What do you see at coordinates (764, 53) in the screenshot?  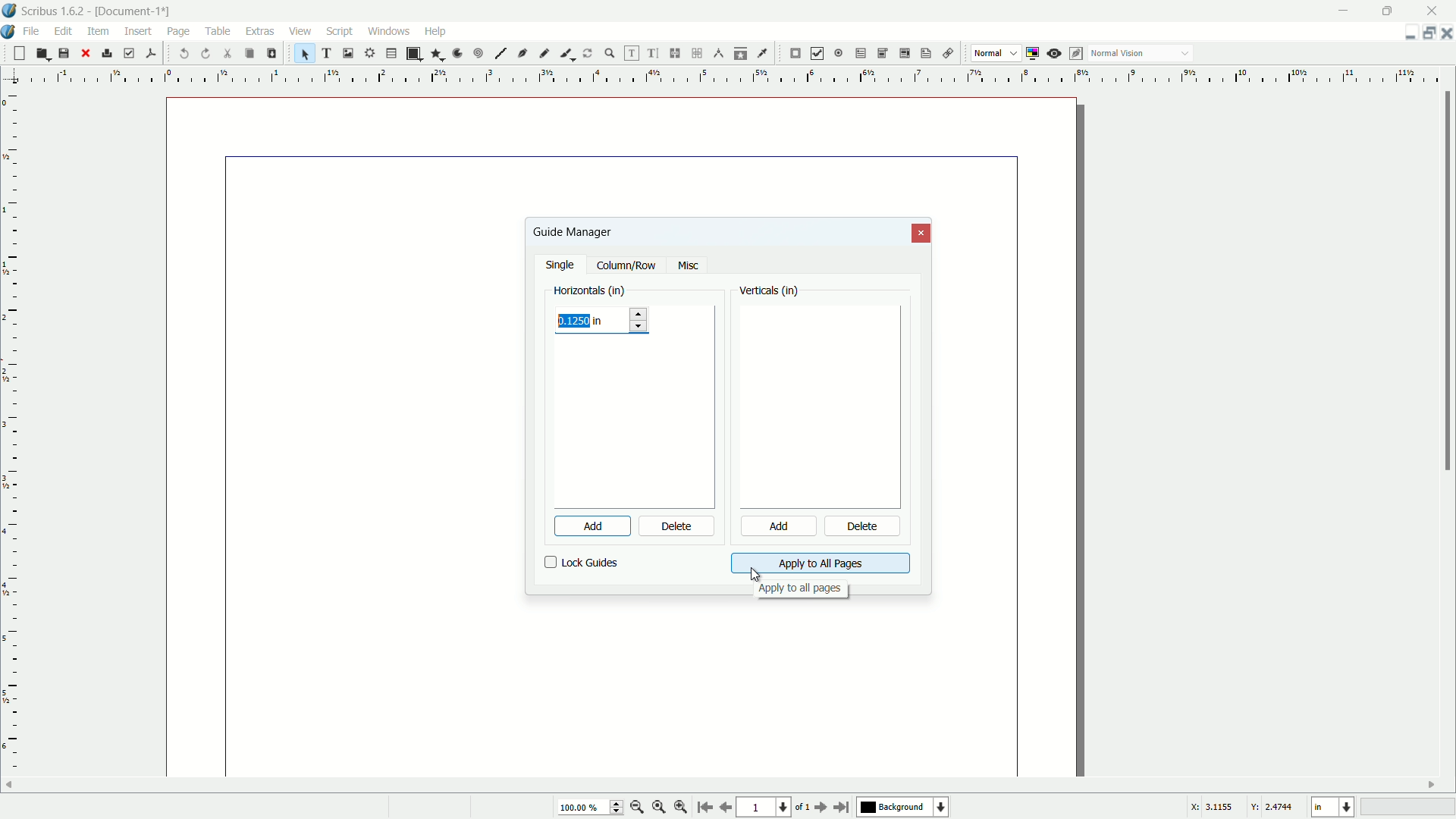 I see `eye dropper` at bounding box center [764, 53].